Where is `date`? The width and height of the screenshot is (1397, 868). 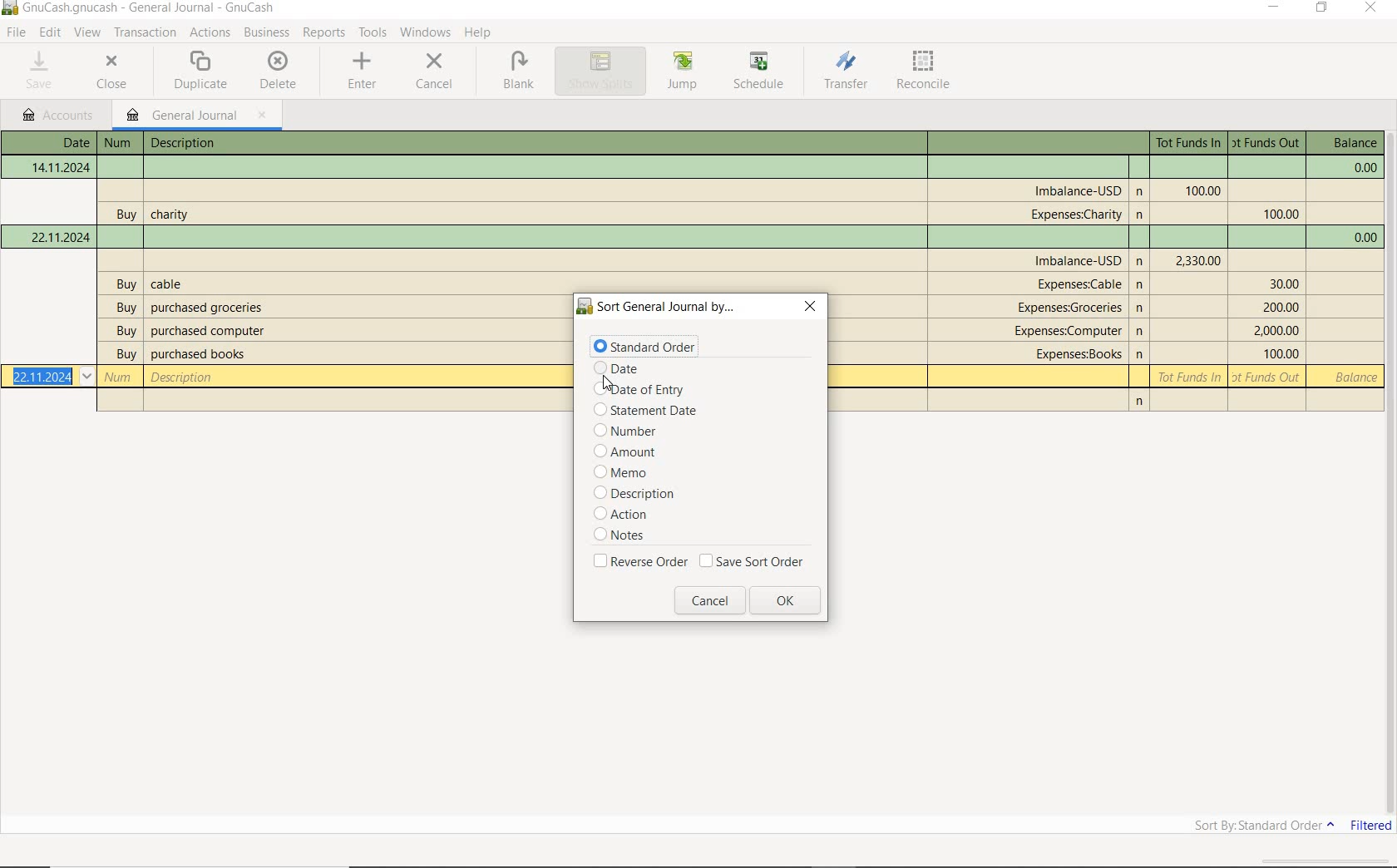 date is located at coordinates (617, 369).